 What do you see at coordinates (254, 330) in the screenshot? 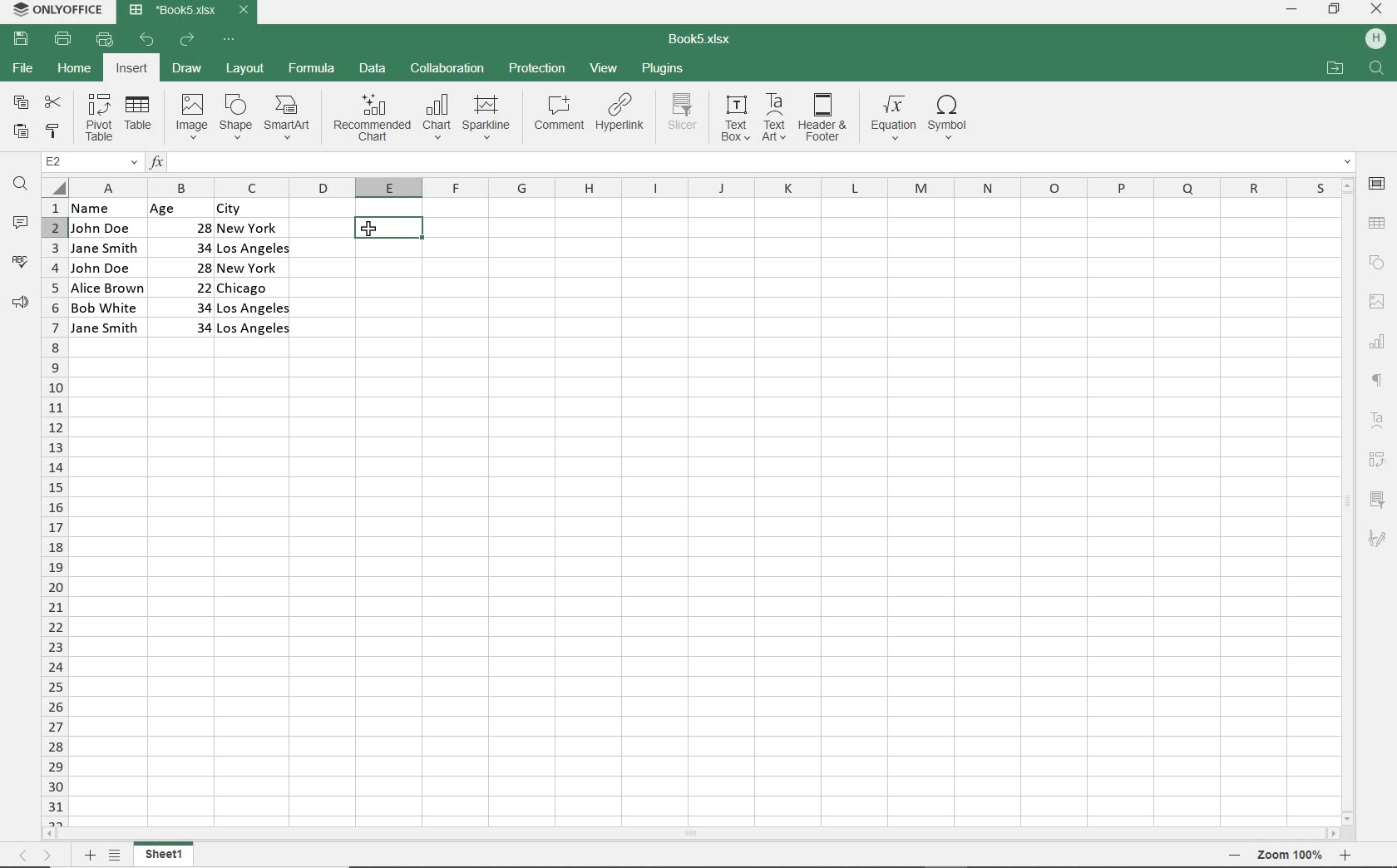
I see `Los Angeles` at bounding box center [254, 330].